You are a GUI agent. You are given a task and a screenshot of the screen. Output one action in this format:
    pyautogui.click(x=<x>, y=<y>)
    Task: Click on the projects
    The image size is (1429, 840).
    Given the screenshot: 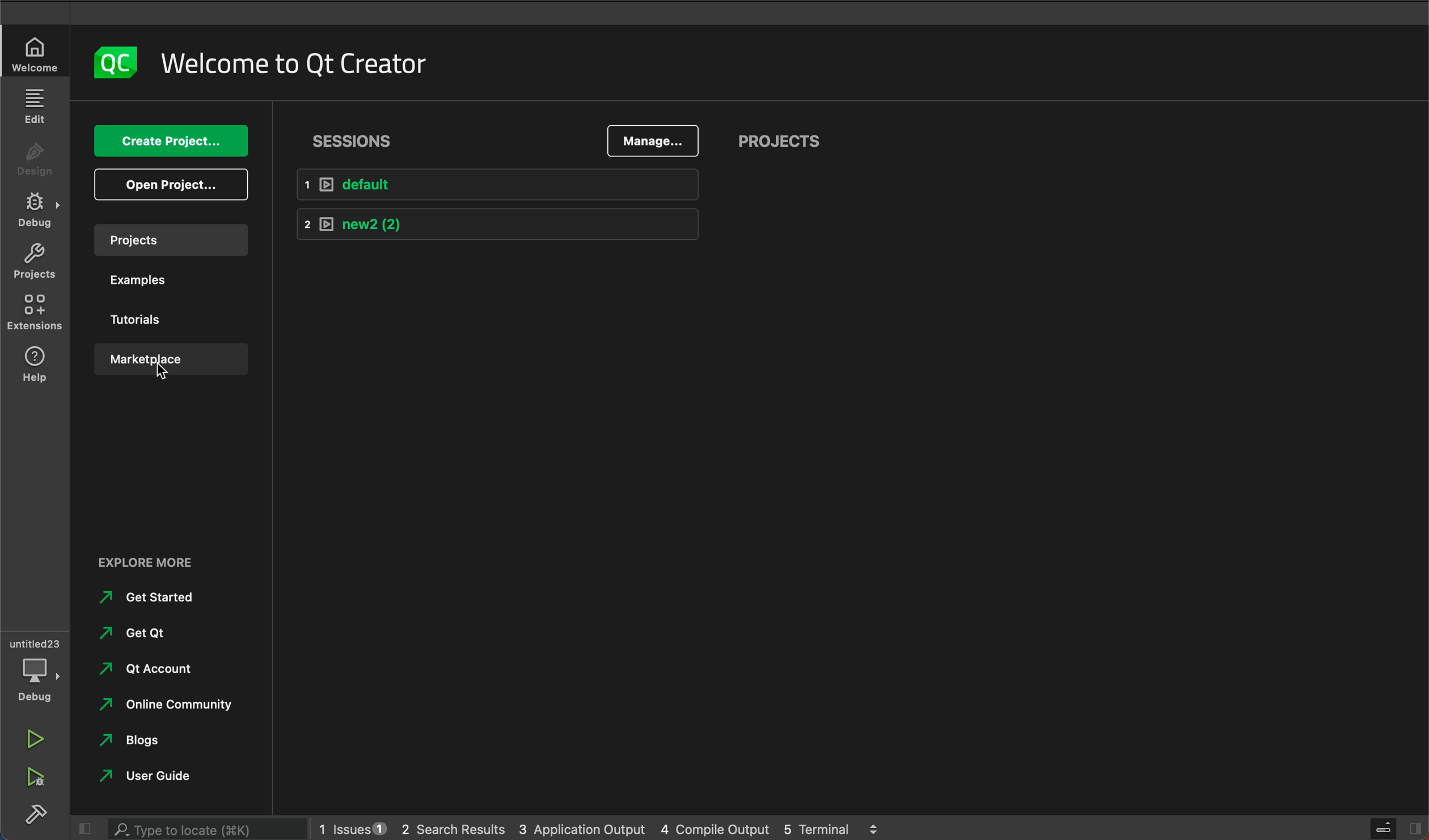 What is the action you would take?
    pyautogui.click(x=780, y=141)
    